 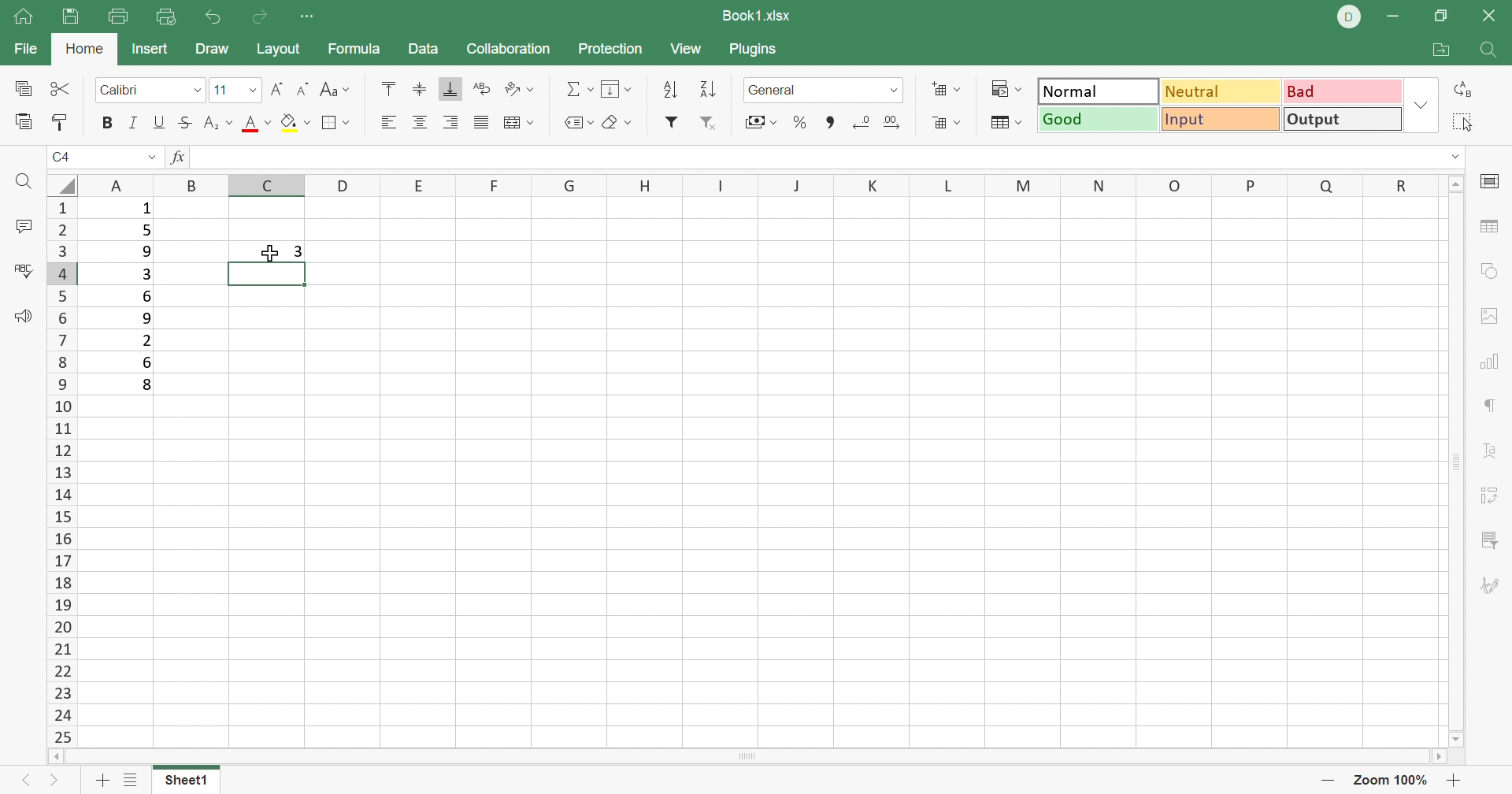 I want to click on Drop down, so click(x=154, y=155).